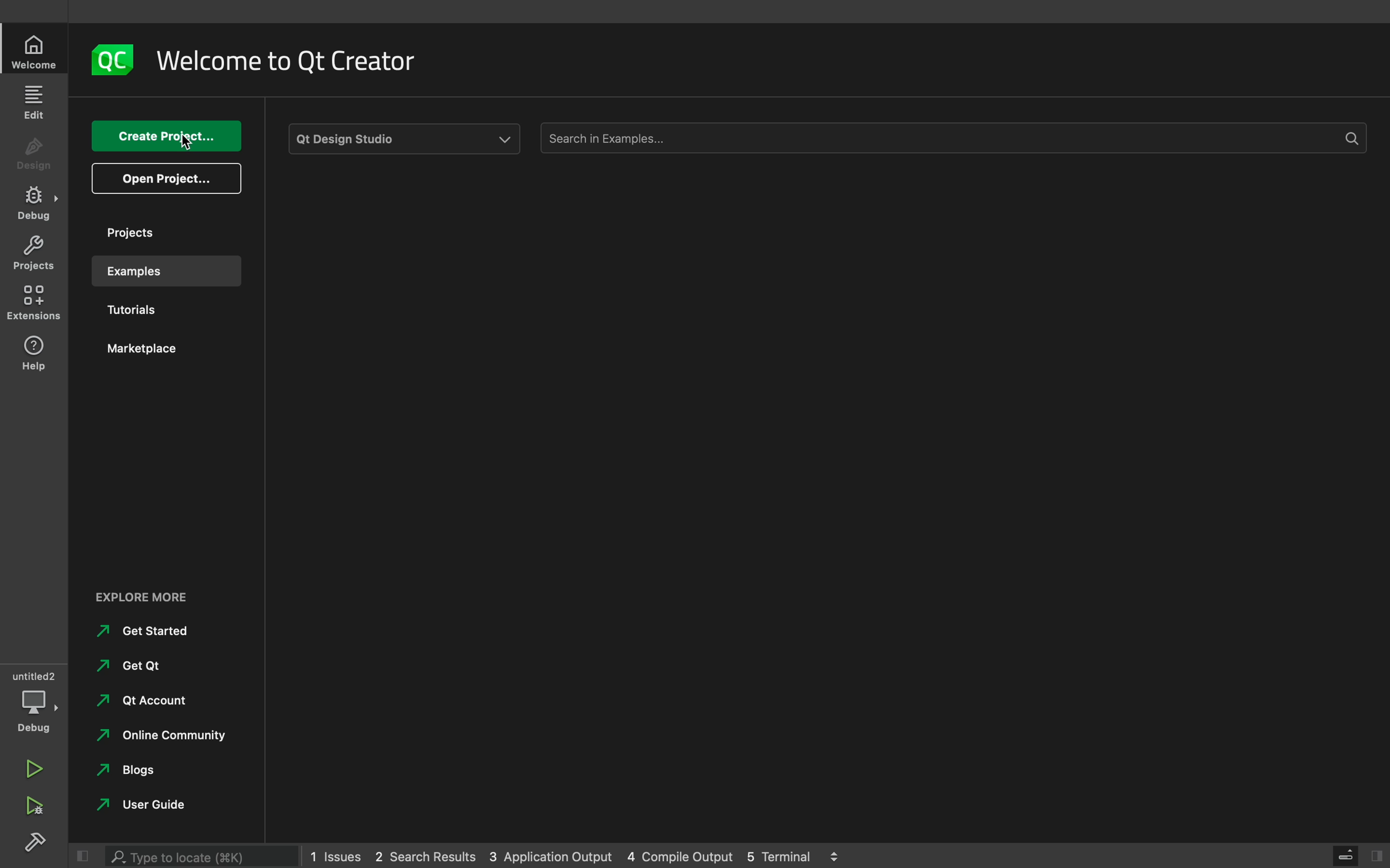 This screenshot has height=868, width=1390. I want to click on , so click(128, 666).